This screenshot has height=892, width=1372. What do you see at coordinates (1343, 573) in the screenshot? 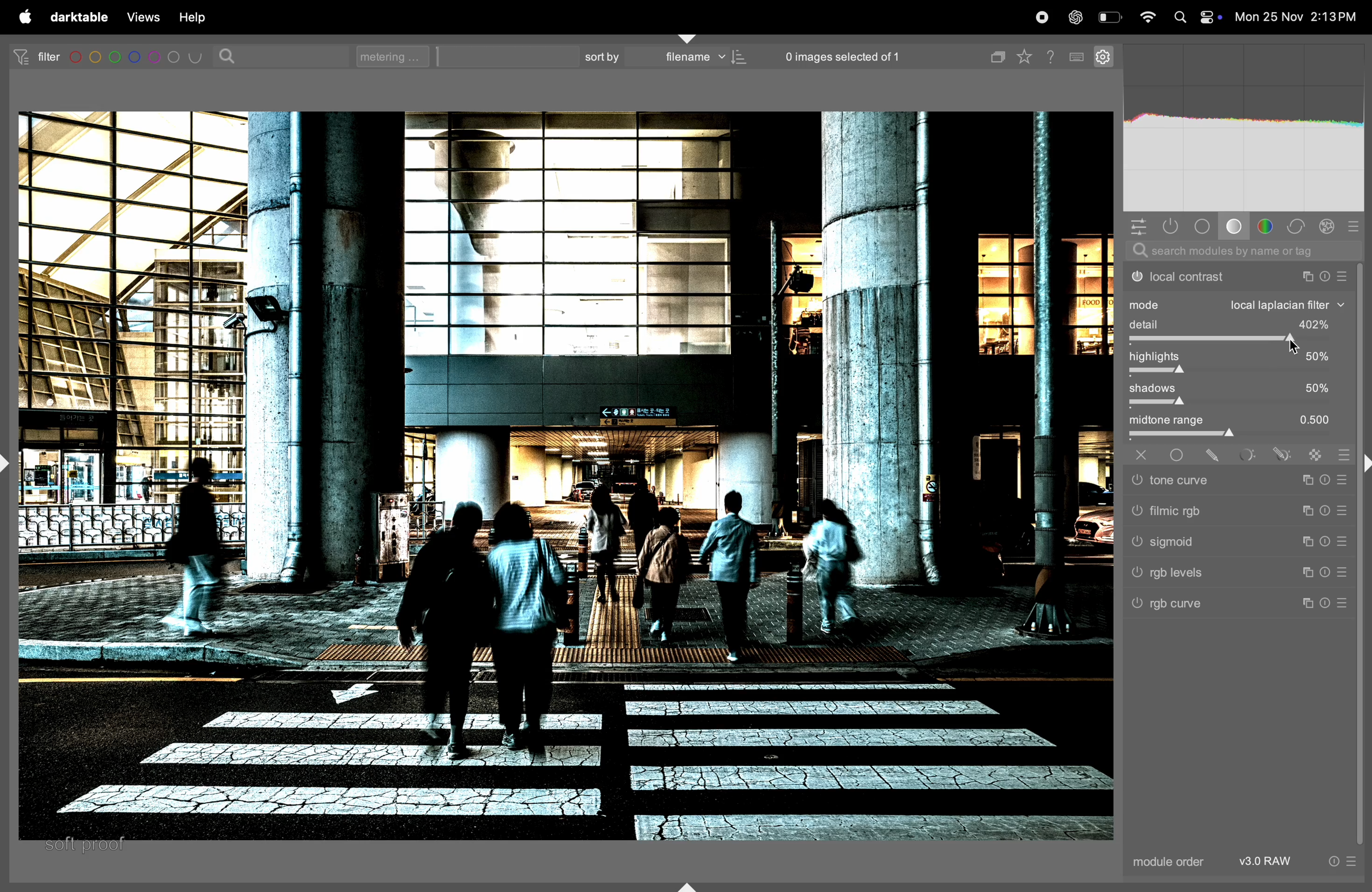
I see `preset` at bounding box center [1343, 573].